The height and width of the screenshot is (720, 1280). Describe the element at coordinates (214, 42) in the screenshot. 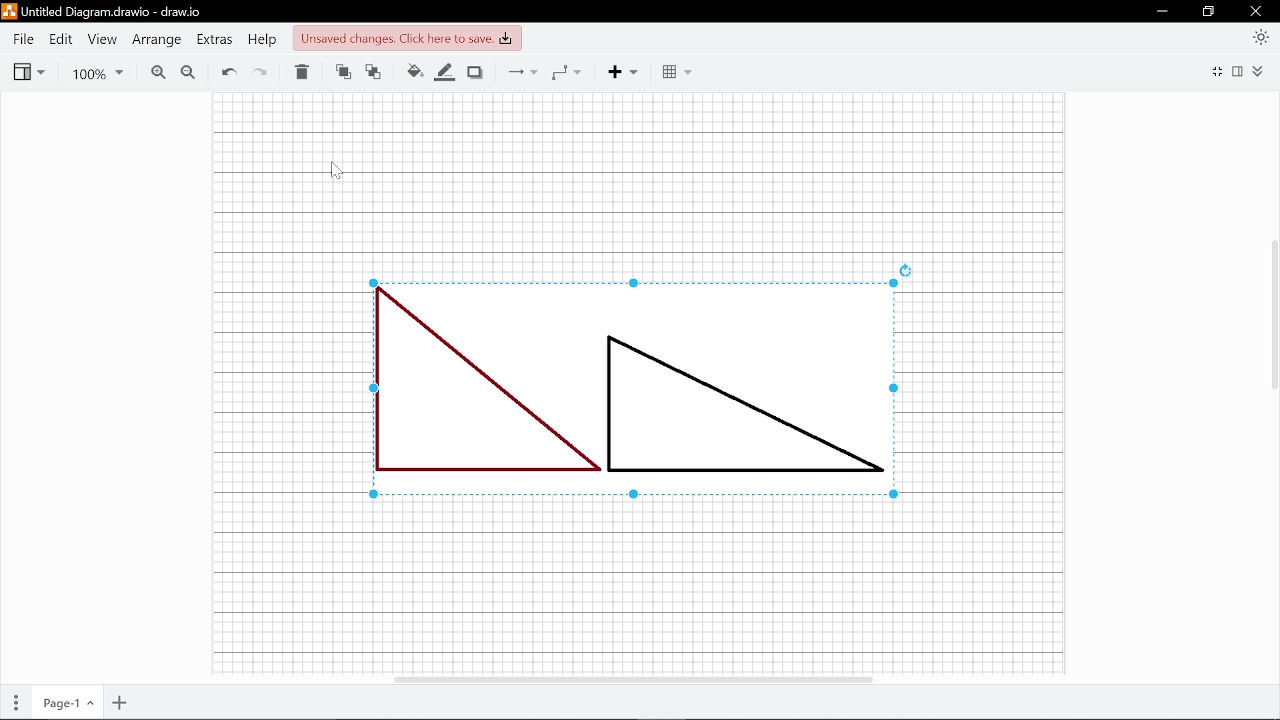

I see `Extras` at that location.